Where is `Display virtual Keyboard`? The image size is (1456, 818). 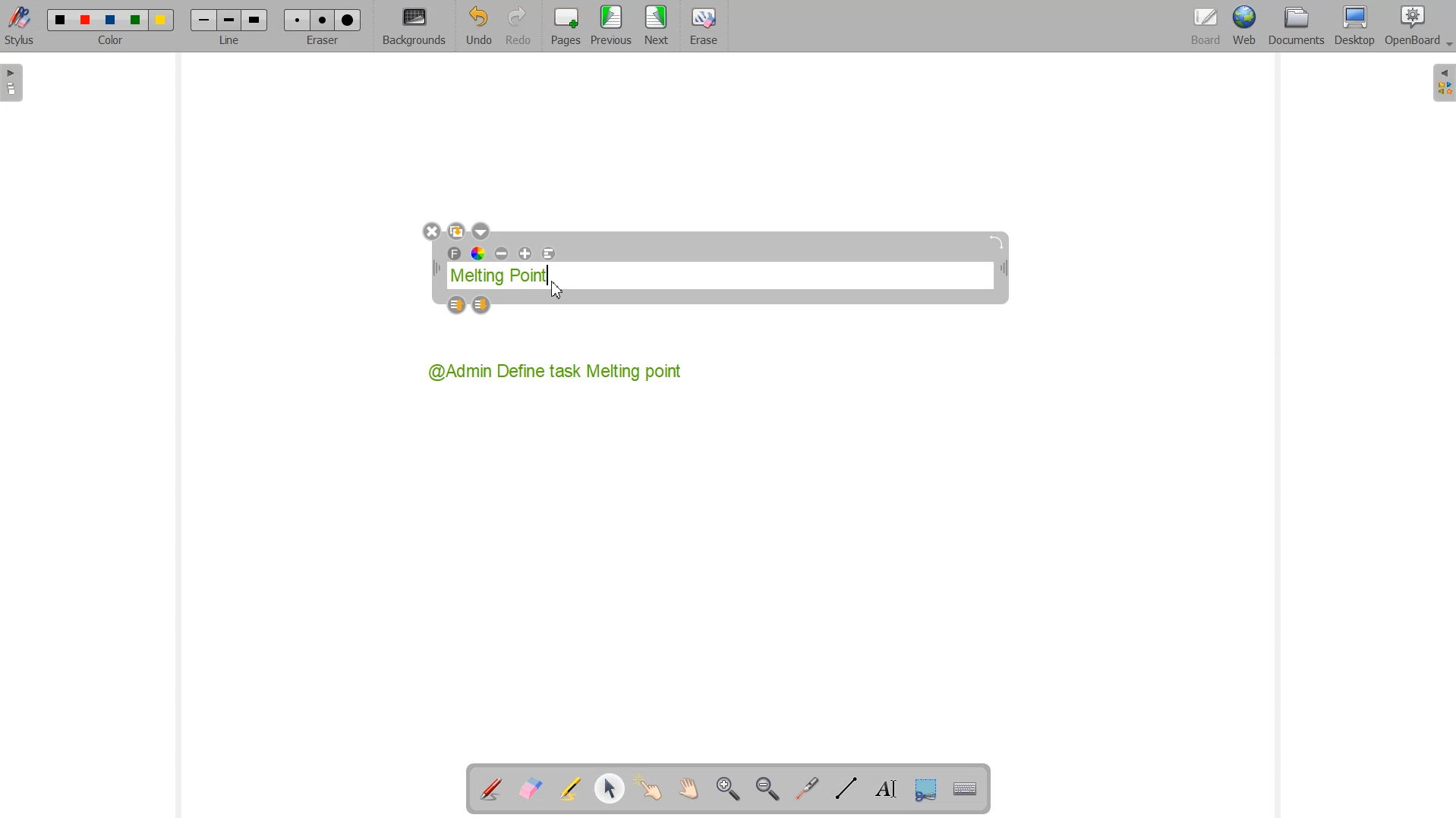 Display virtual Keyboard is located at coordinates (963, 787).